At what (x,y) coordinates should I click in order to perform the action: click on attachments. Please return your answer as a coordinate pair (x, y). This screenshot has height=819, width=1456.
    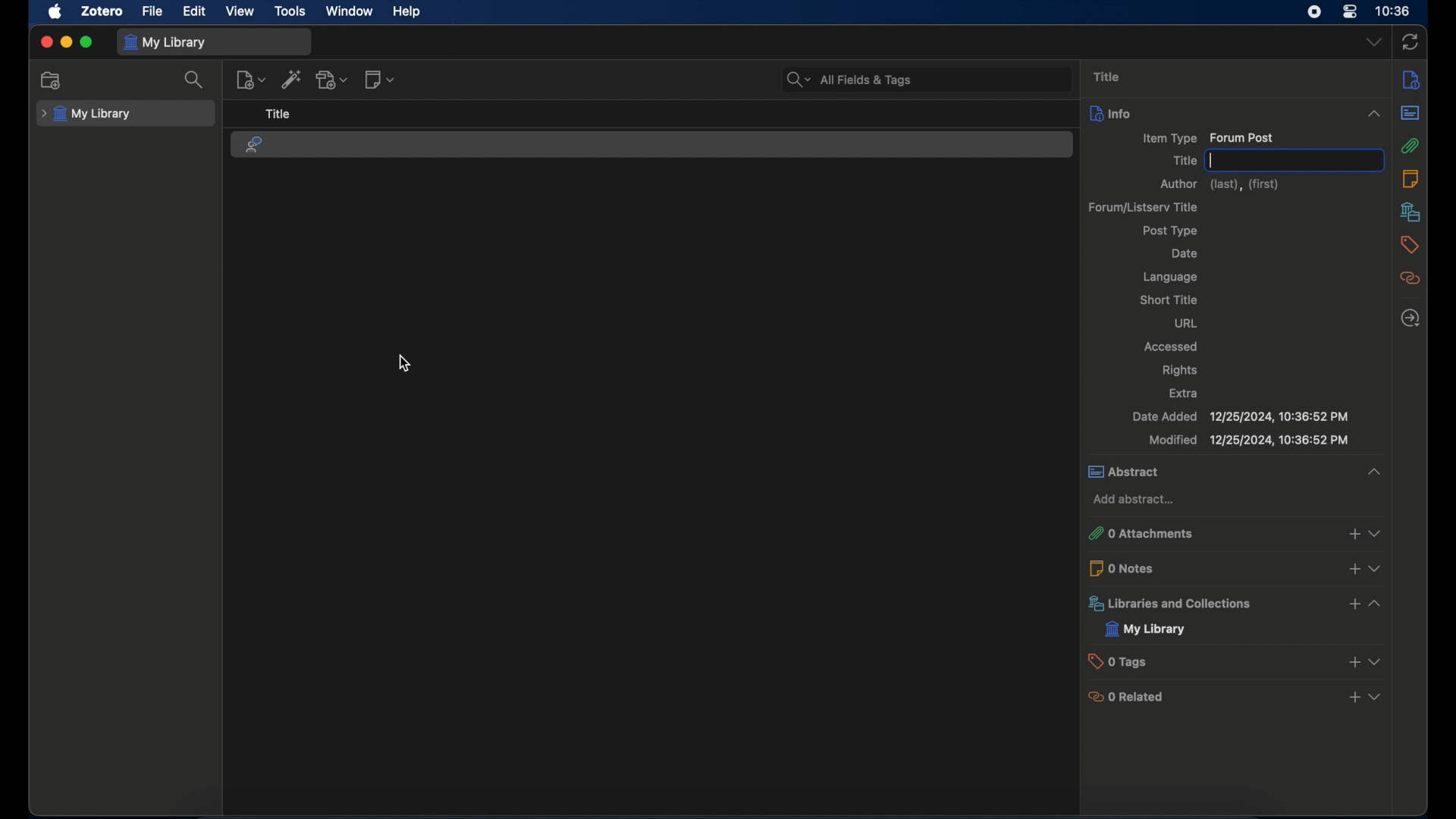
    Looking at the image, I should click on (1410, 146).